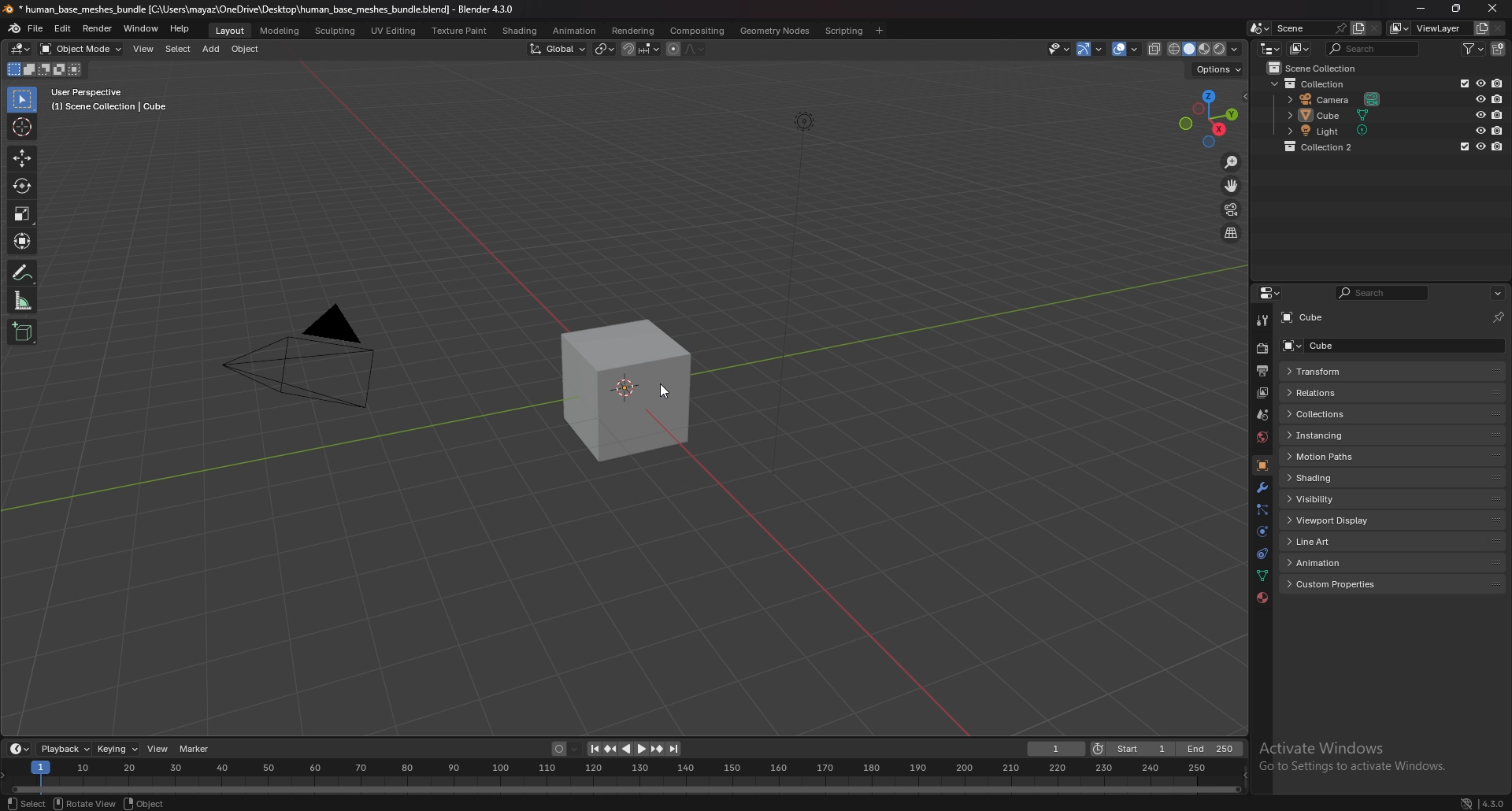  What do you see at coordinates (1060, 49) in the screenshot?
I see `selectibility and visibility` at bounding box center [1060, 49].